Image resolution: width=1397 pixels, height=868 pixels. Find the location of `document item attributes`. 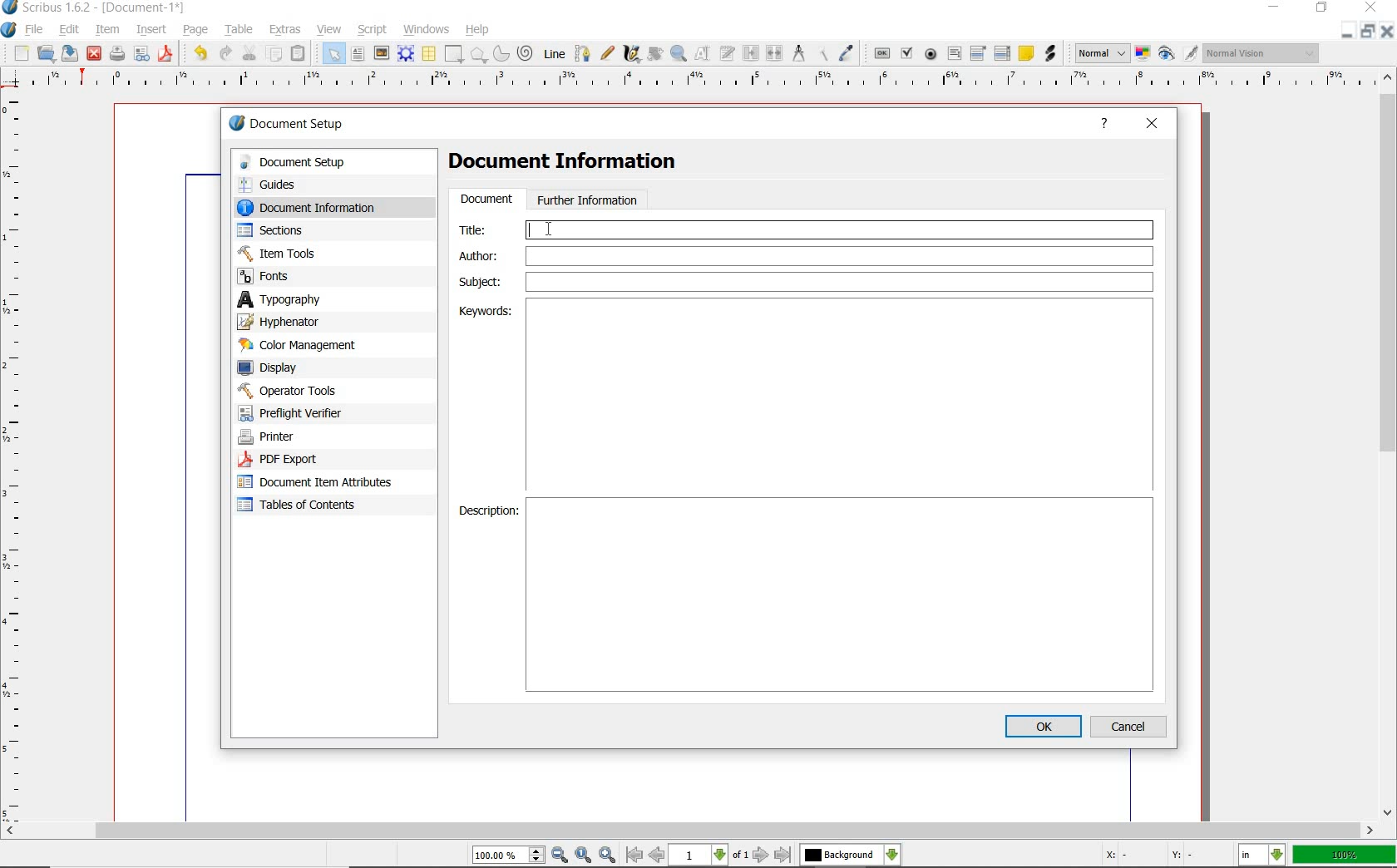

document item attributes is located at coordinates (321, 484).